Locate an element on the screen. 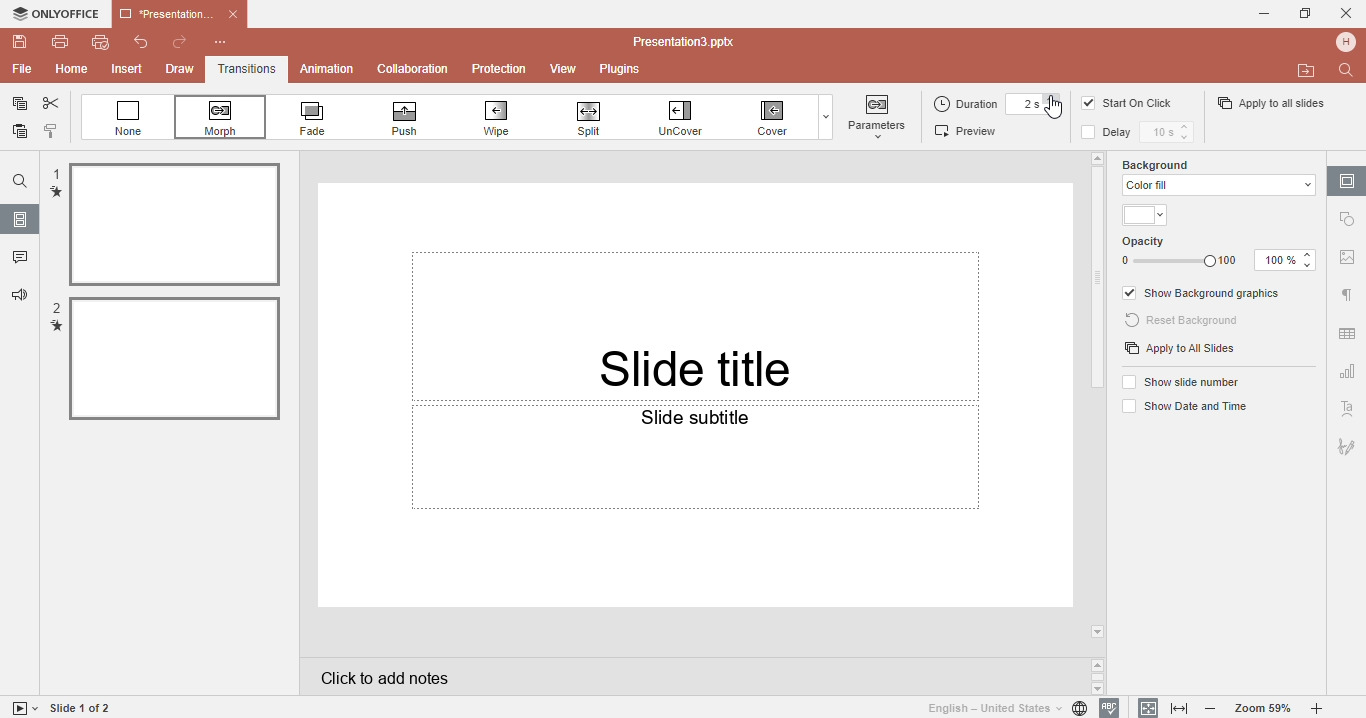 The image size is (1366, 718). Redo is located at coordinates (179, 43).